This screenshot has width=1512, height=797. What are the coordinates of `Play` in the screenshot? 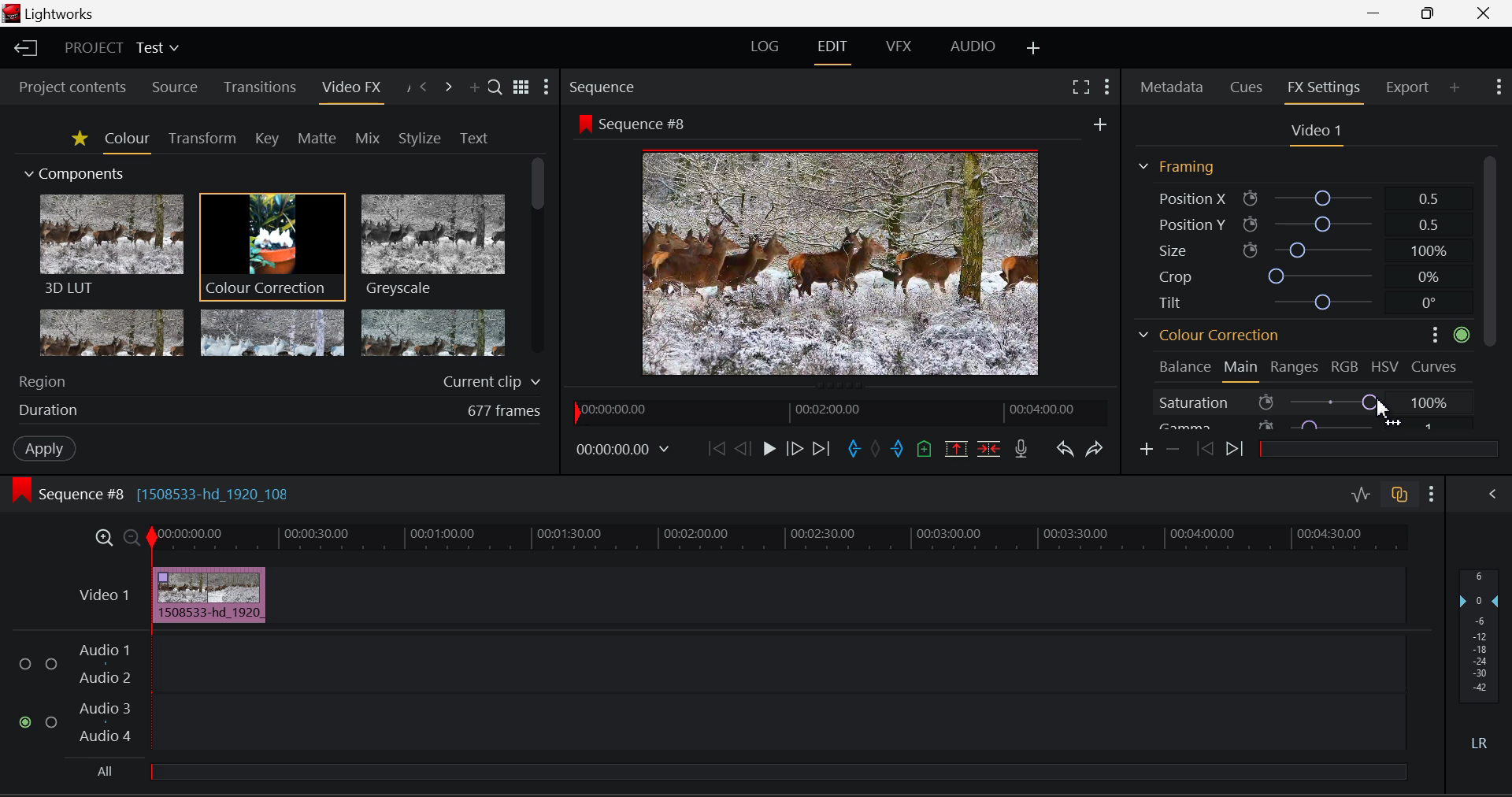 It's located at (767, 450).